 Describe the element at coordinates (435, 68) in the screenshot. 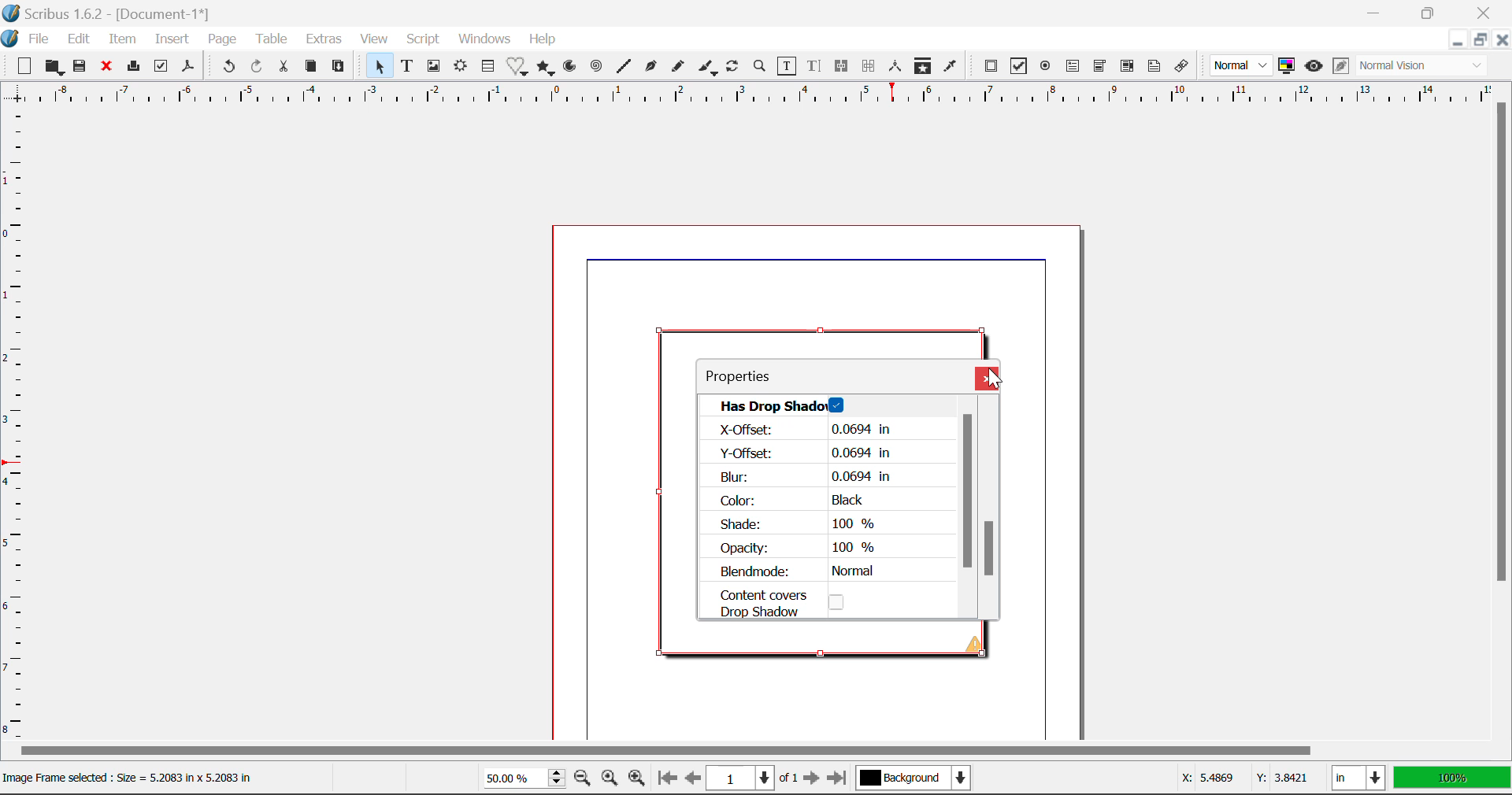

I see `Image Frame` at that location.